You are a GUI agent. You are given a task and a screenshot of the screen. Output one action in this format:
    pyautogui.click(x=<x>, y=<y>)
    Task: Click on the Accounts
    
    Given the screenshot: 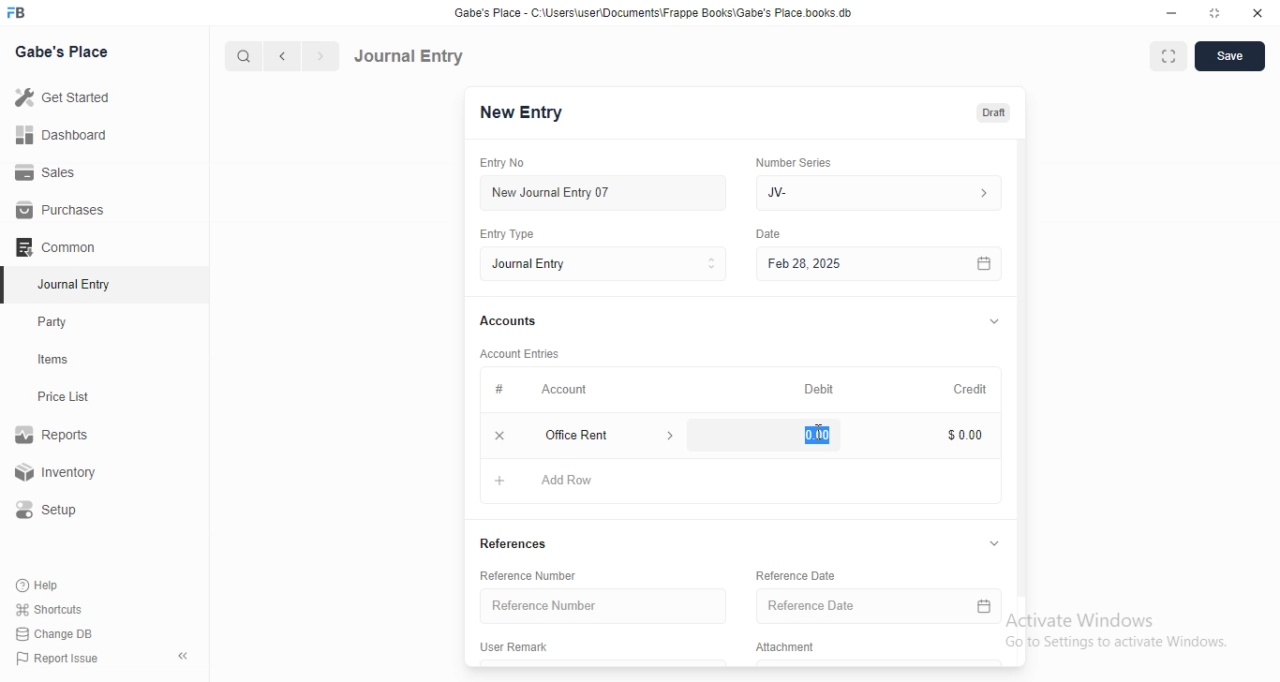 What is the action you would take?
    pyautogui.click(x=506, y=321)
    